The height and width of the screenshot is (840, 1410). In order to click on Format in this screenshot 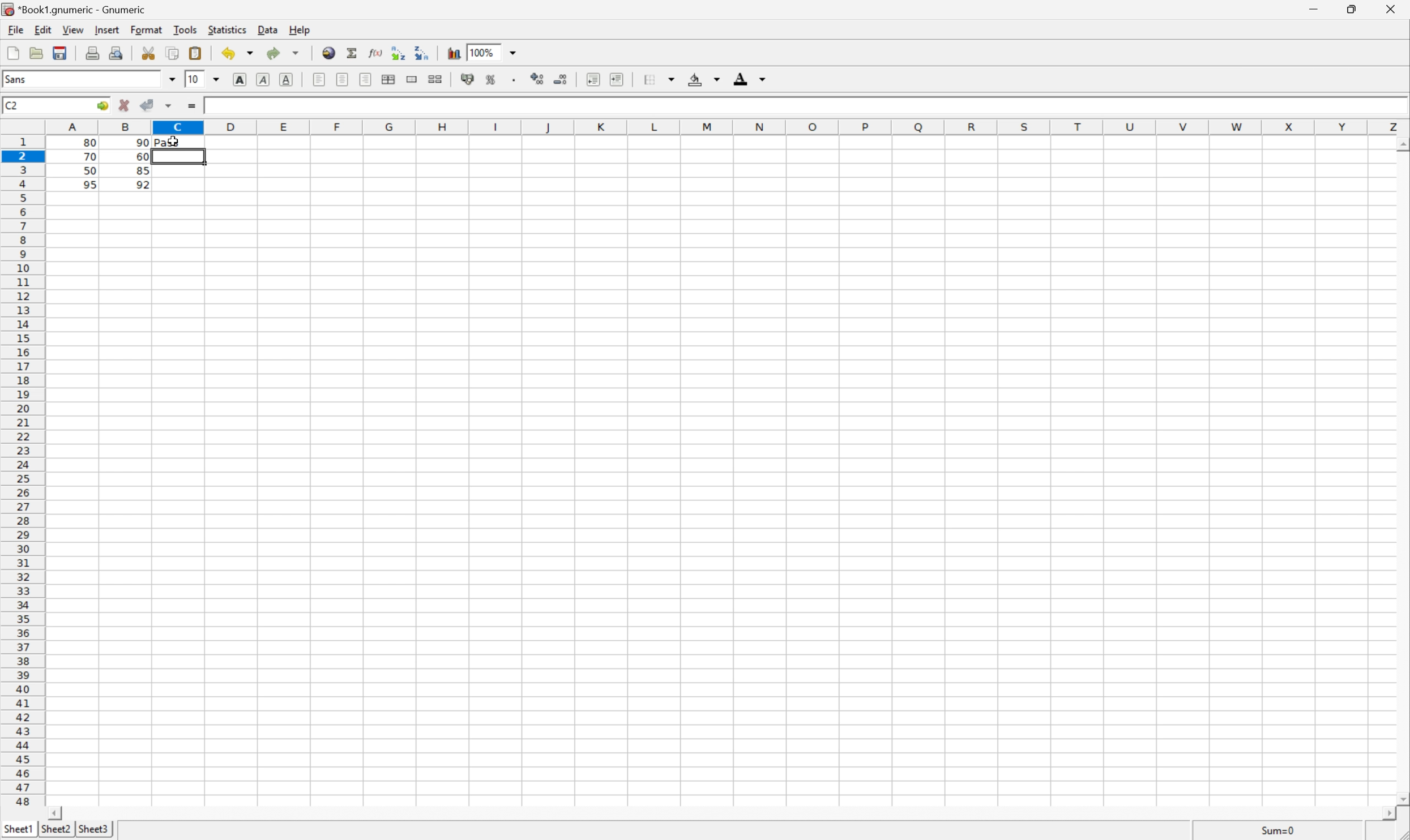, I will do `click(146, 28)`.